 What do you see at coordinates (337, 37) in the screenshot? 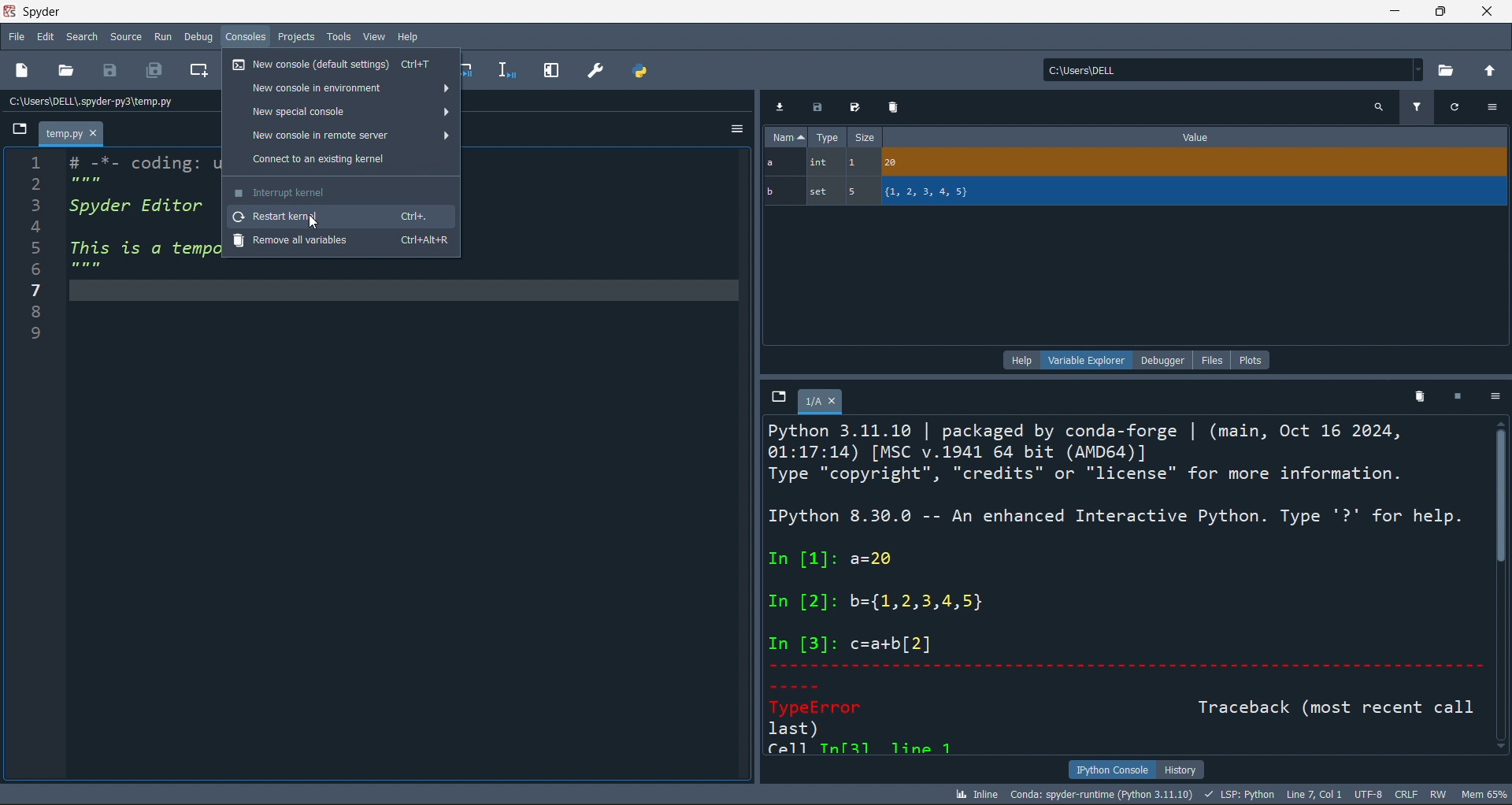
I see `Tools` at bounding box center [337, 37].